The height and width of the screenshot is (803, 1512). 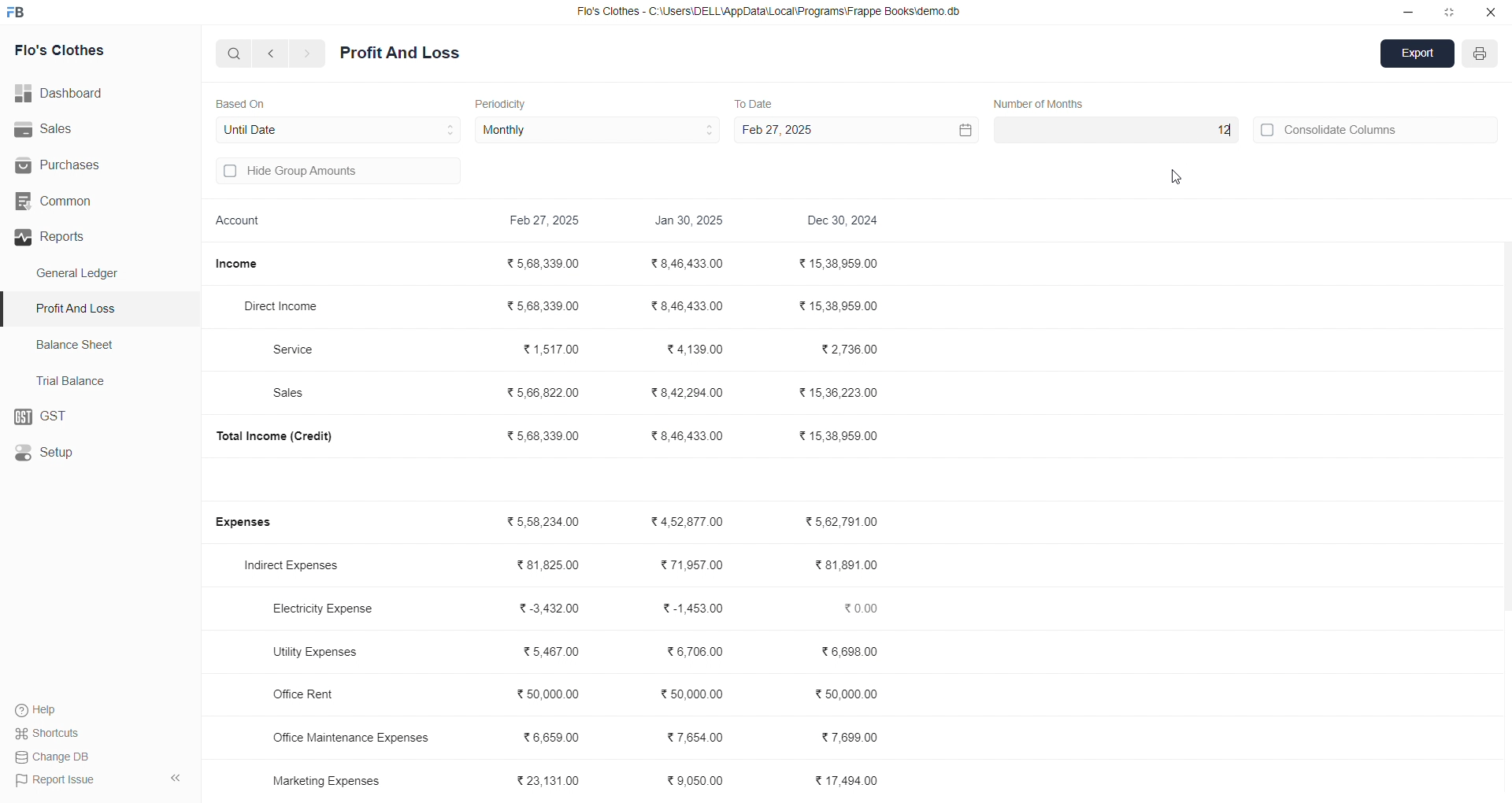 I want to click on To Date, so click(x=753, y=102).